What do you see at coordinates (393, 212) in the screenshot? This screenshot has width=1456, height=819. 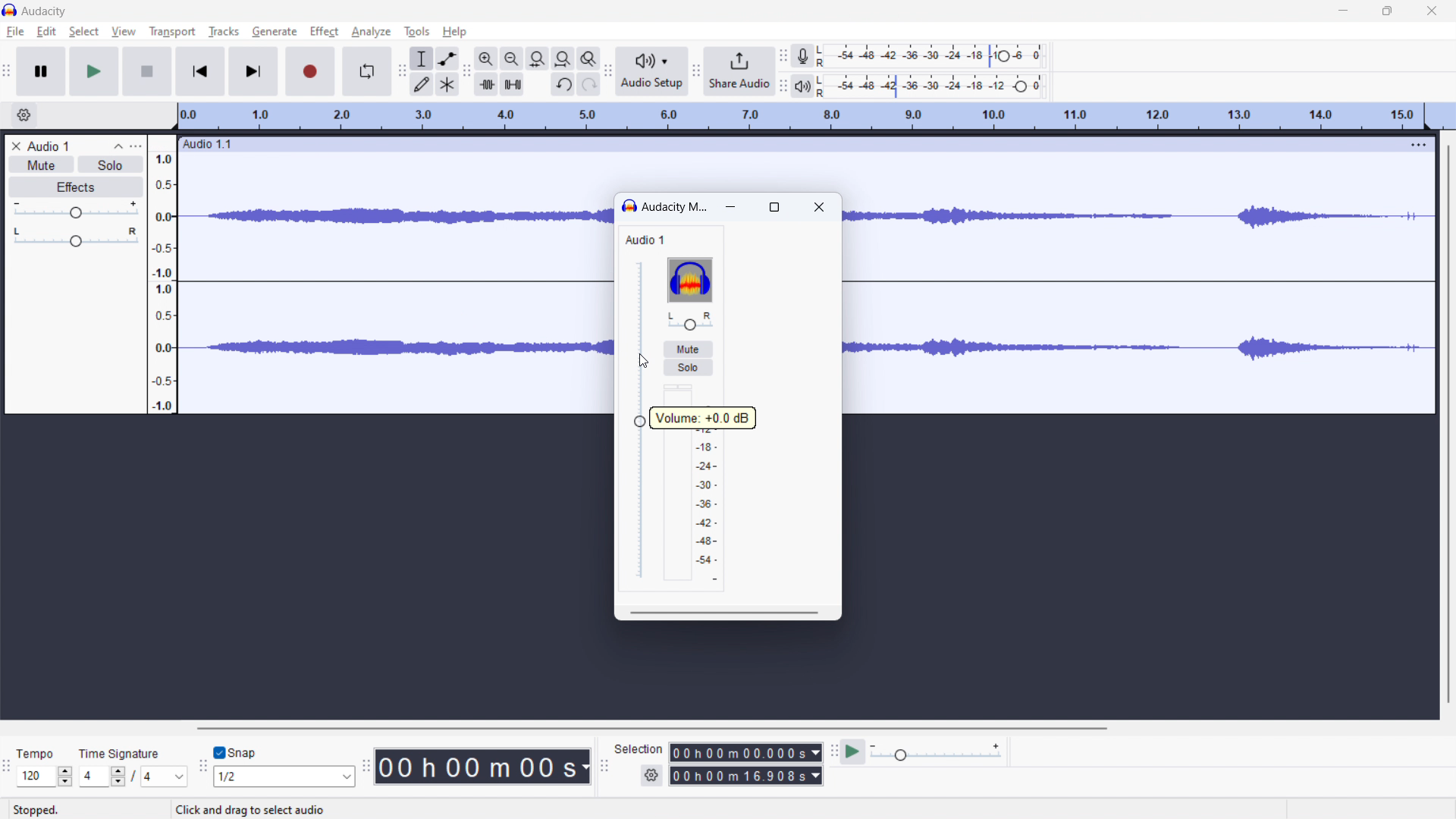 I see `waveform` at bounding box center [393, 212].